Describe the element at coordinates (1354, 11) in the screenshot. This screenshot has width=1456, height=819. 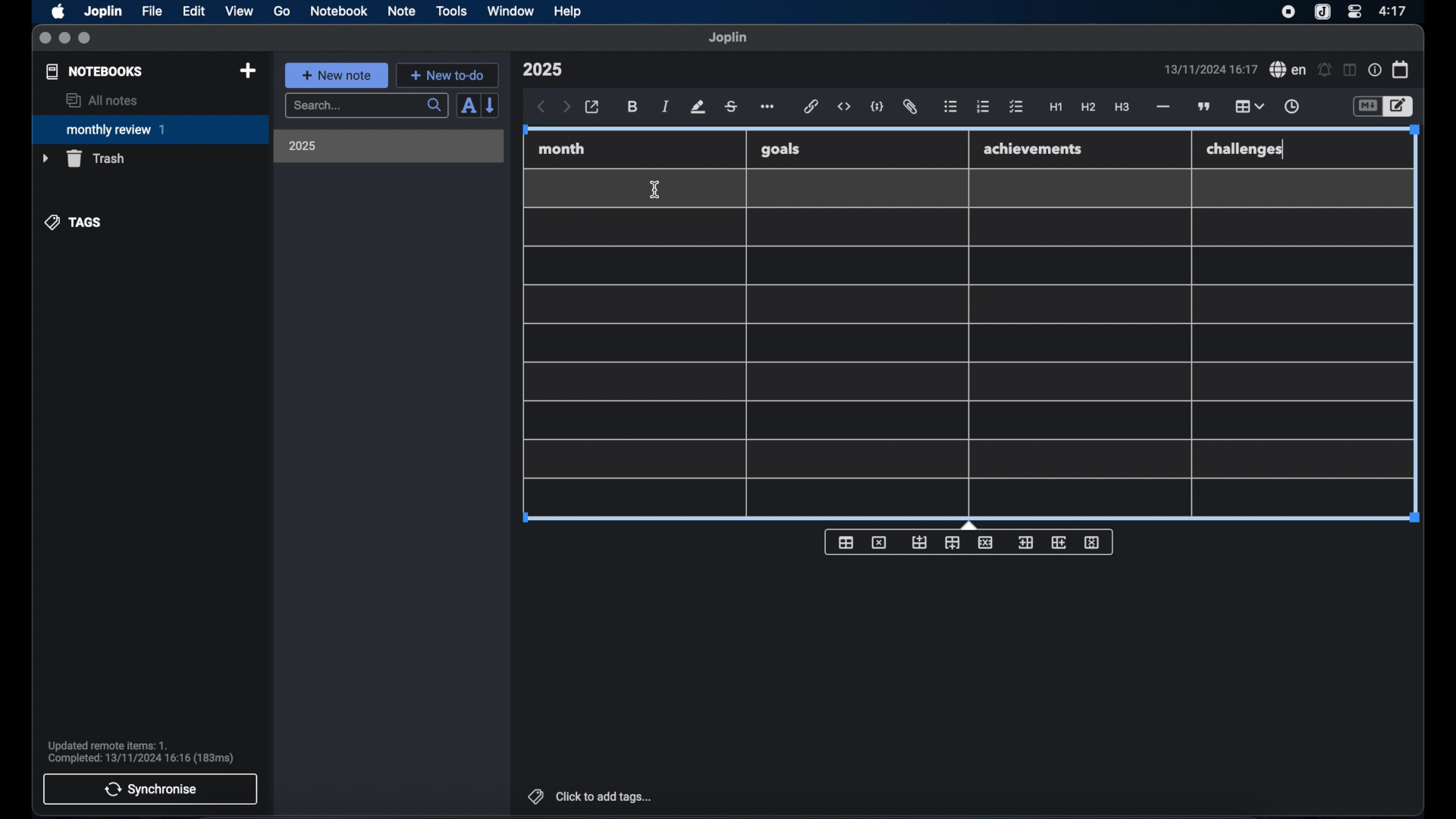
I see `control center` at that location.